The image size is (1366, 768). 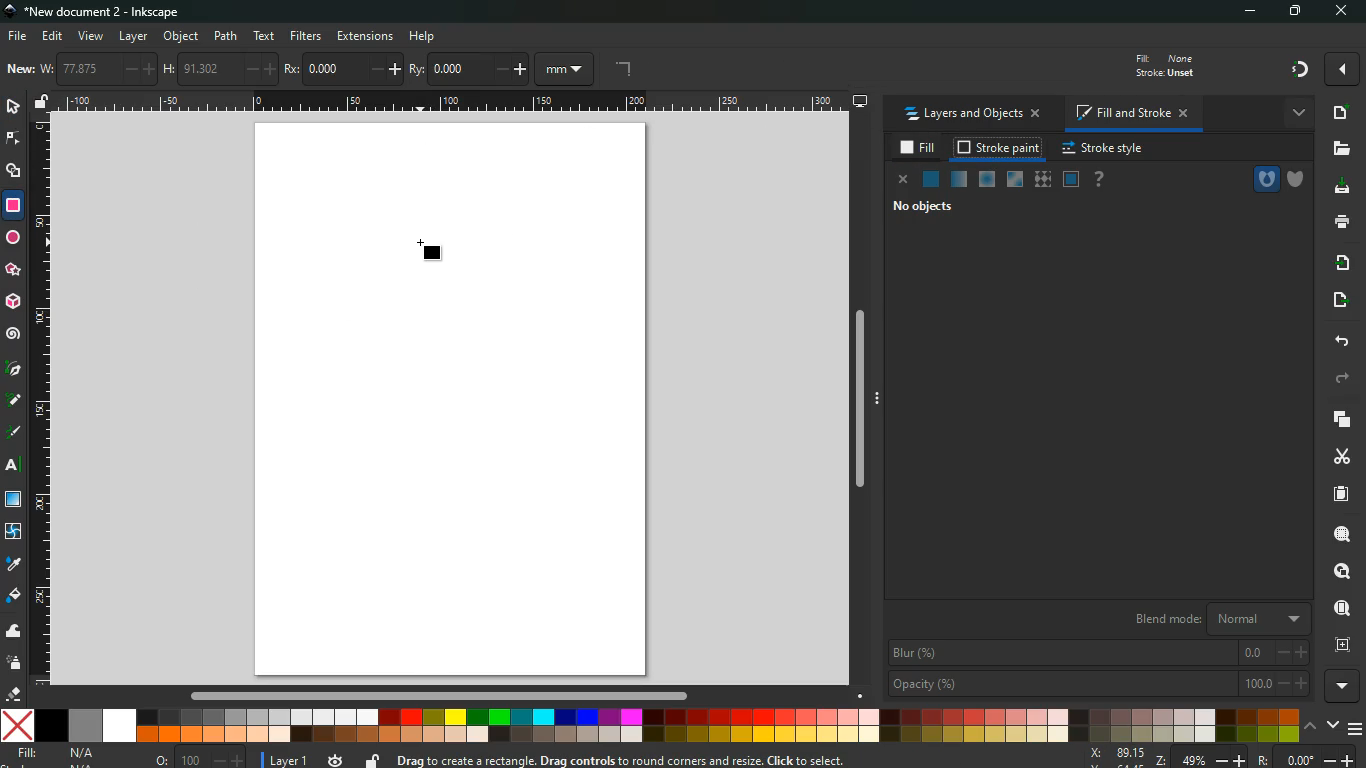 What do you see at coordinates (917, 149) in the screenshot?
I see `fill` at bounding box center [917, 149].